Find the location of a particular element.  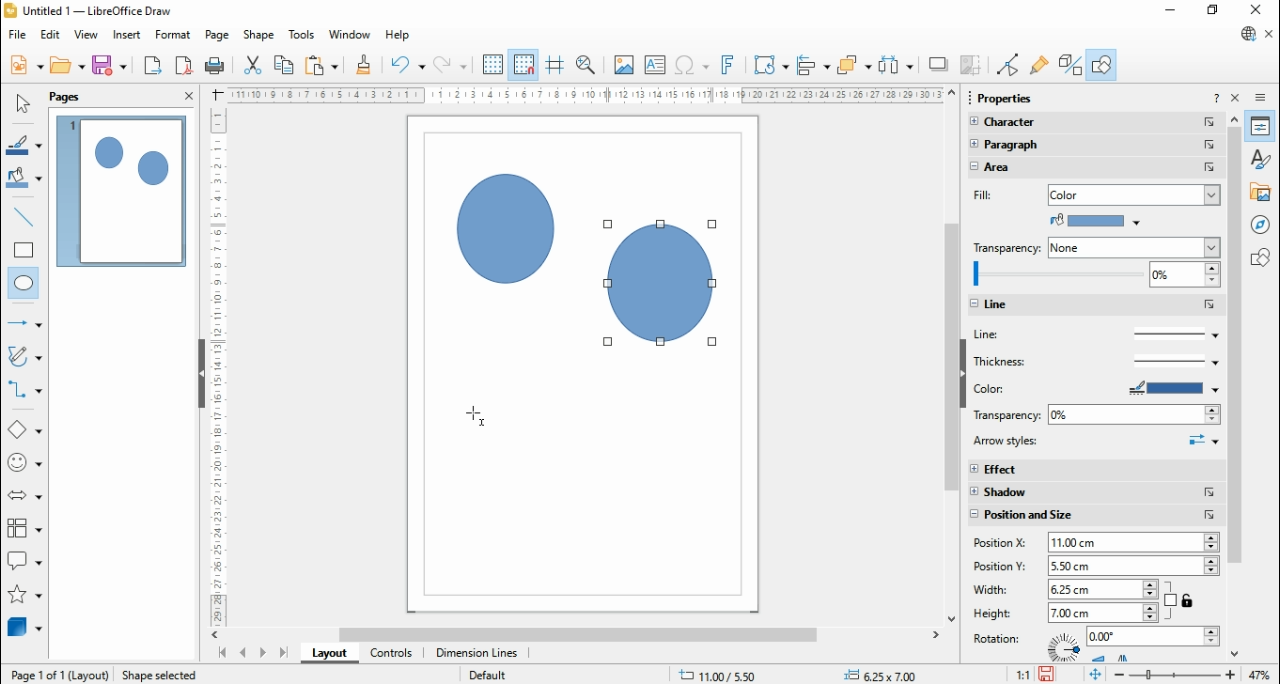

paragraph is located at coordinates (1096, 146).